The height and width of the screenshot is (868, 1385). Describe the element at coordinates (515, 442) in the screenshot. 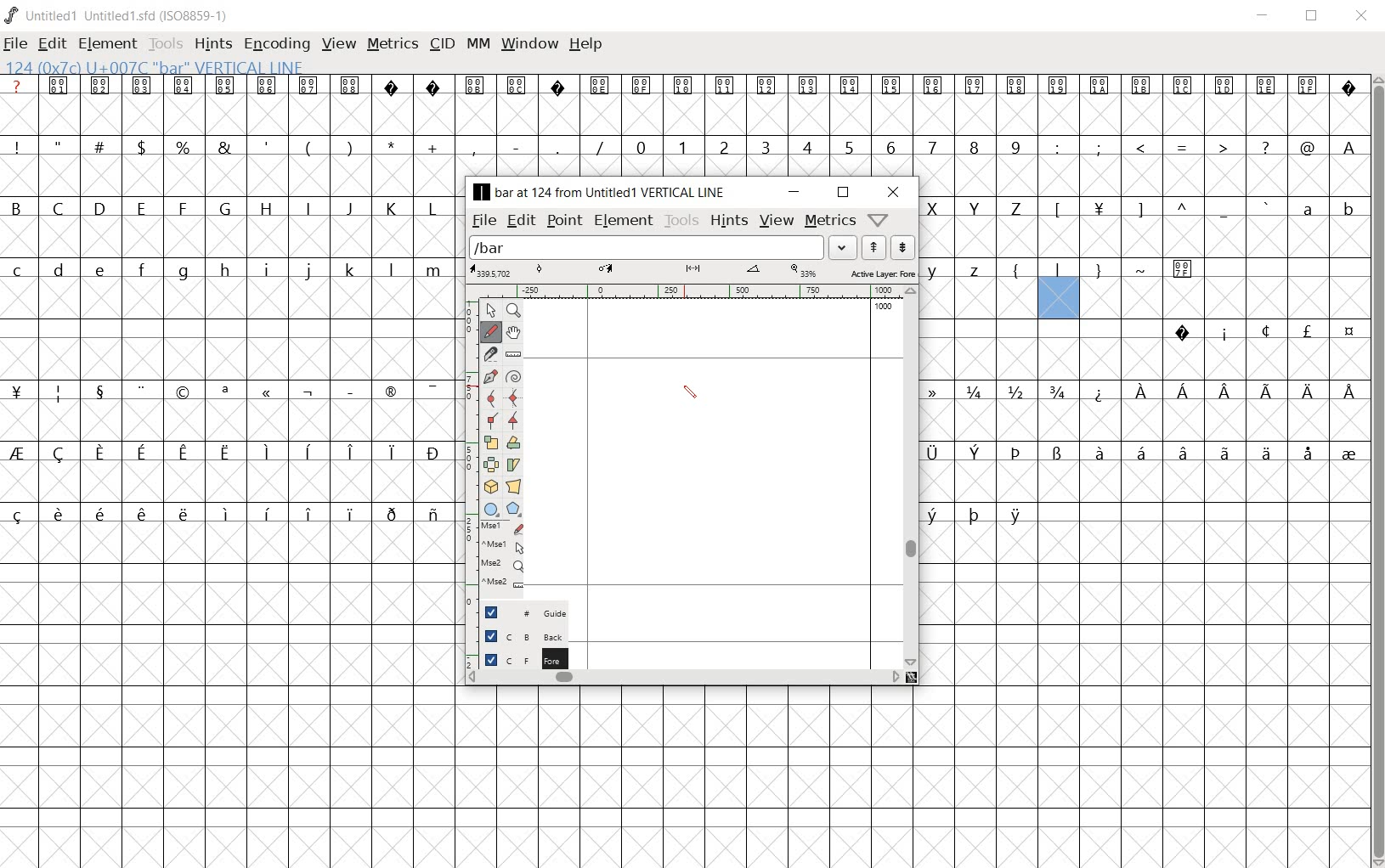

I see `Rotate the selection` at that location.